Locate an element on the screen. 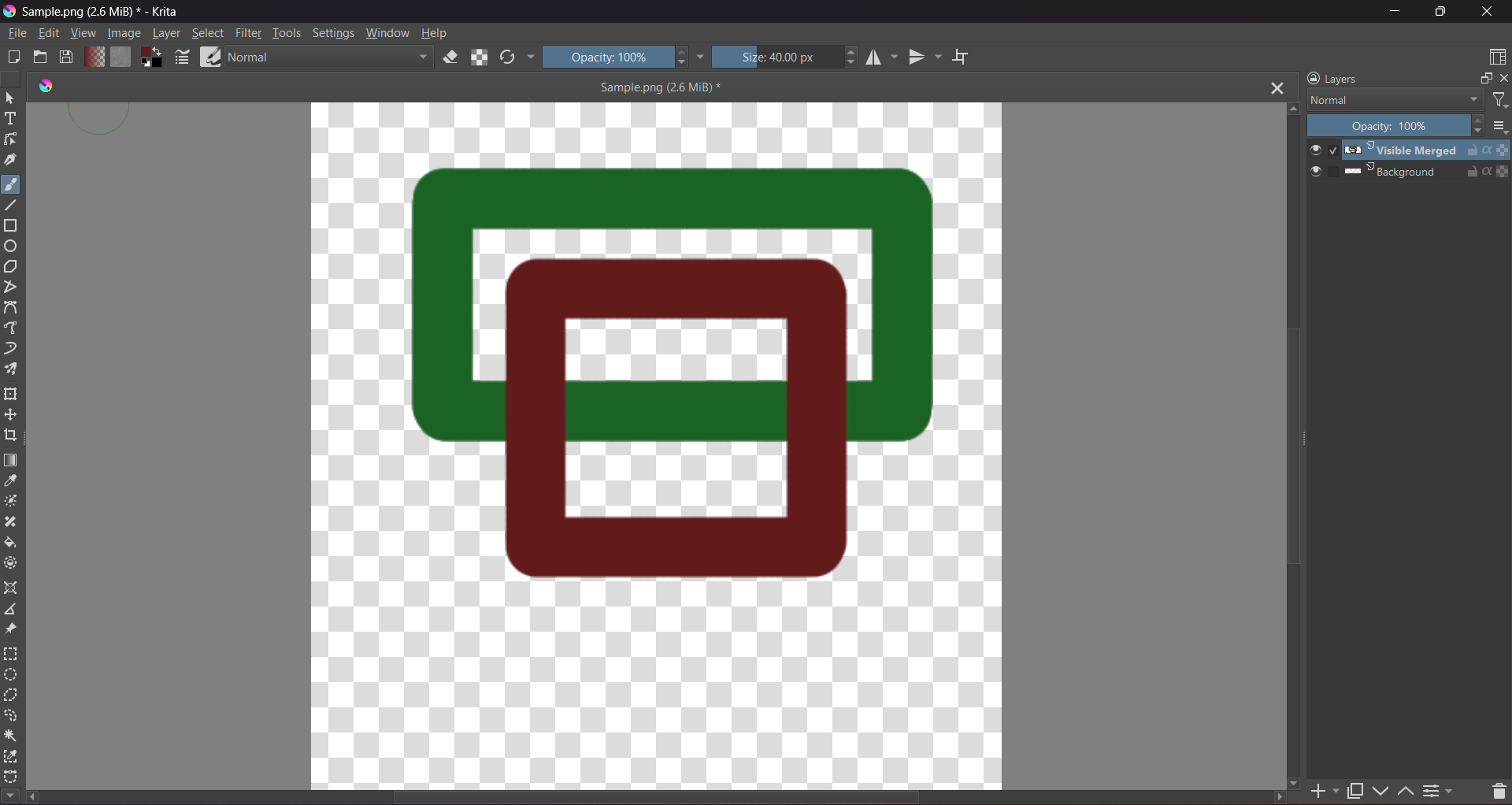  Help is located at coordinates (436, 32).